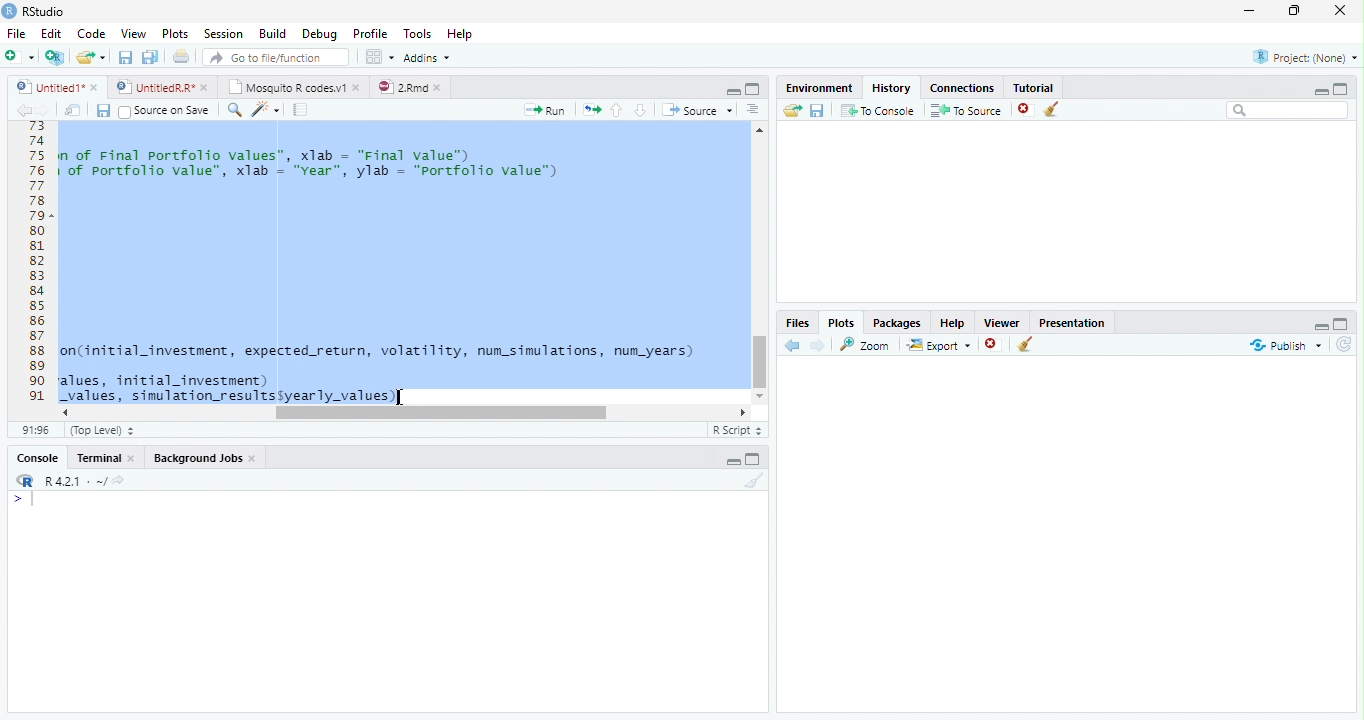 The height and width of the screenshot is (720, 1364). Describe the element at coordinates (181, 56) in the screenshot. I see `Print` at that location.